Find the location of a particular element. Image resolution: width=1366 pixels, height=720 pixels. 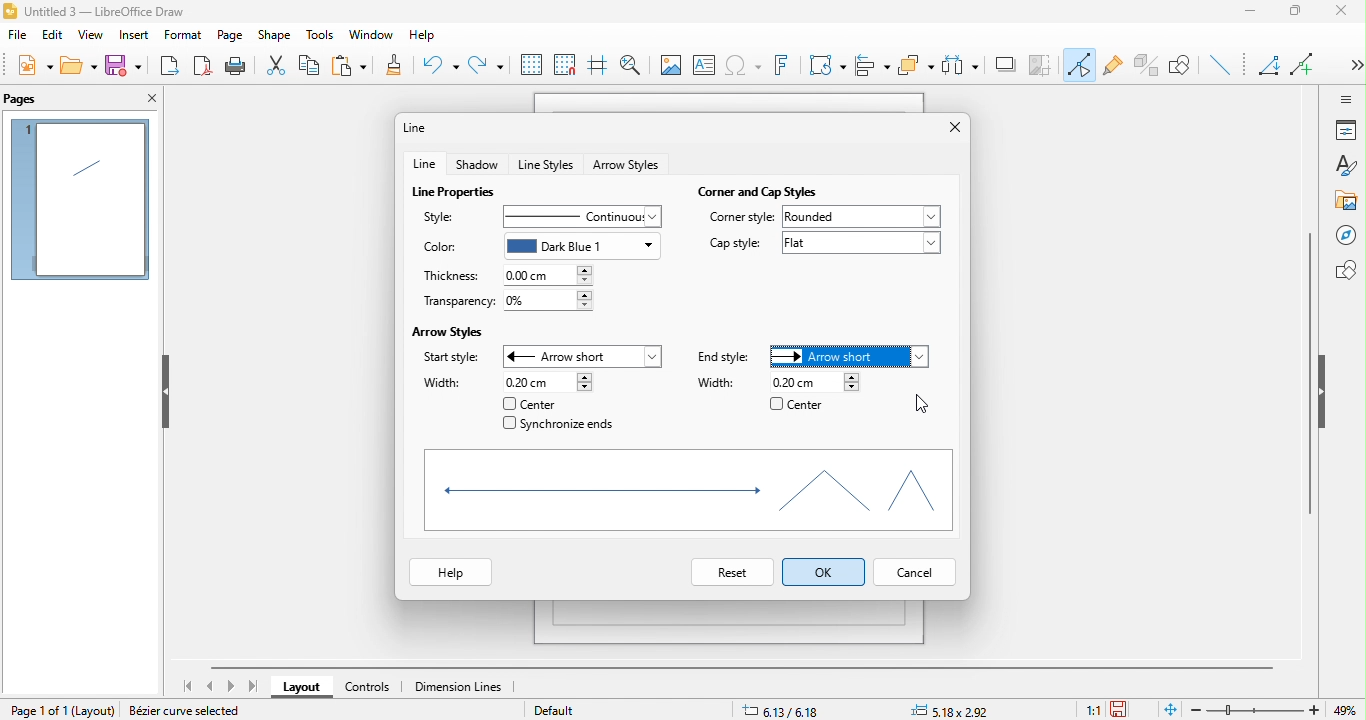

shapes is located at coordinates (1345, 270).